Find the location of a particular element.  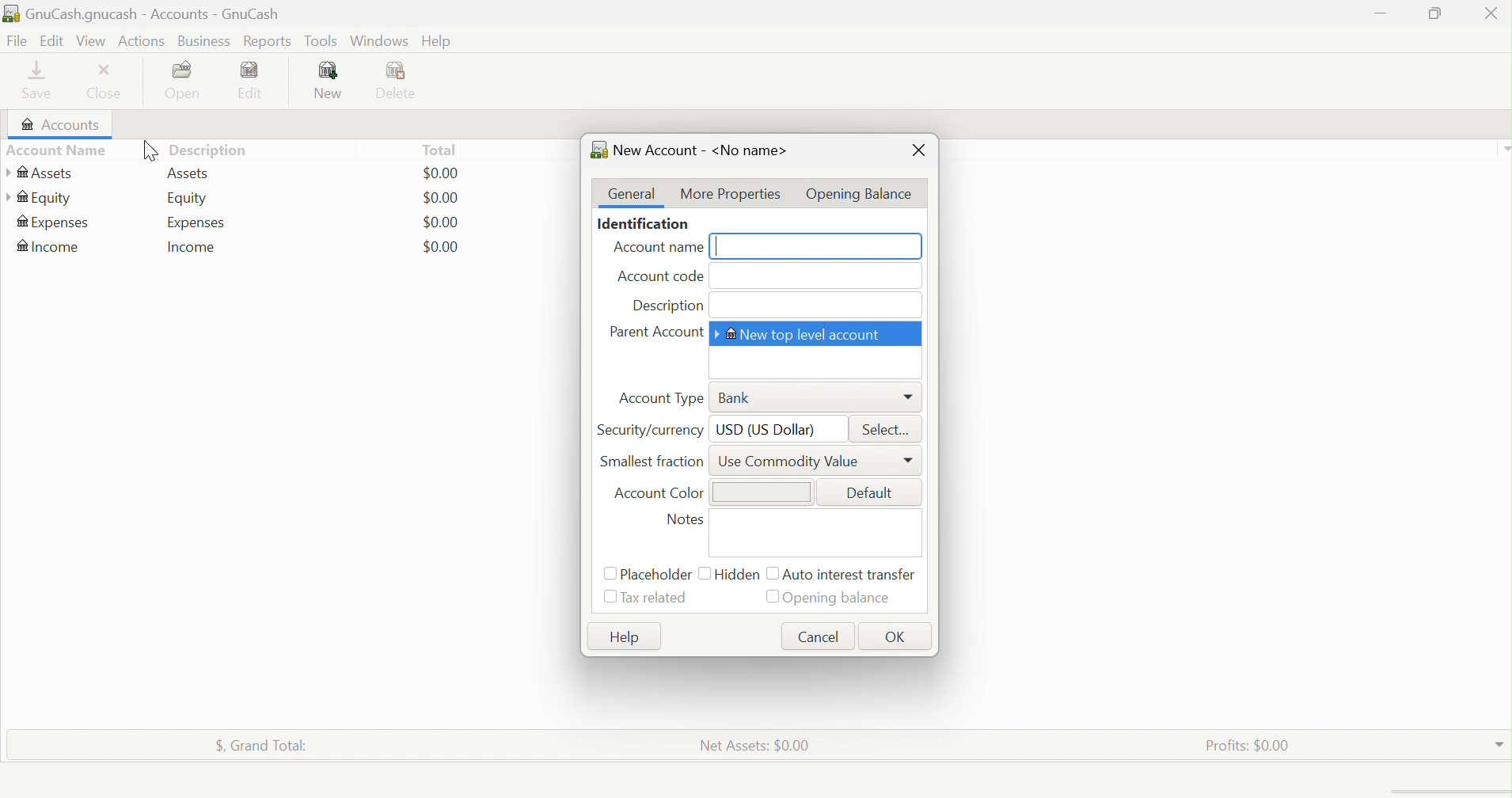

Drop Down is located at coordinates (1499, 741).